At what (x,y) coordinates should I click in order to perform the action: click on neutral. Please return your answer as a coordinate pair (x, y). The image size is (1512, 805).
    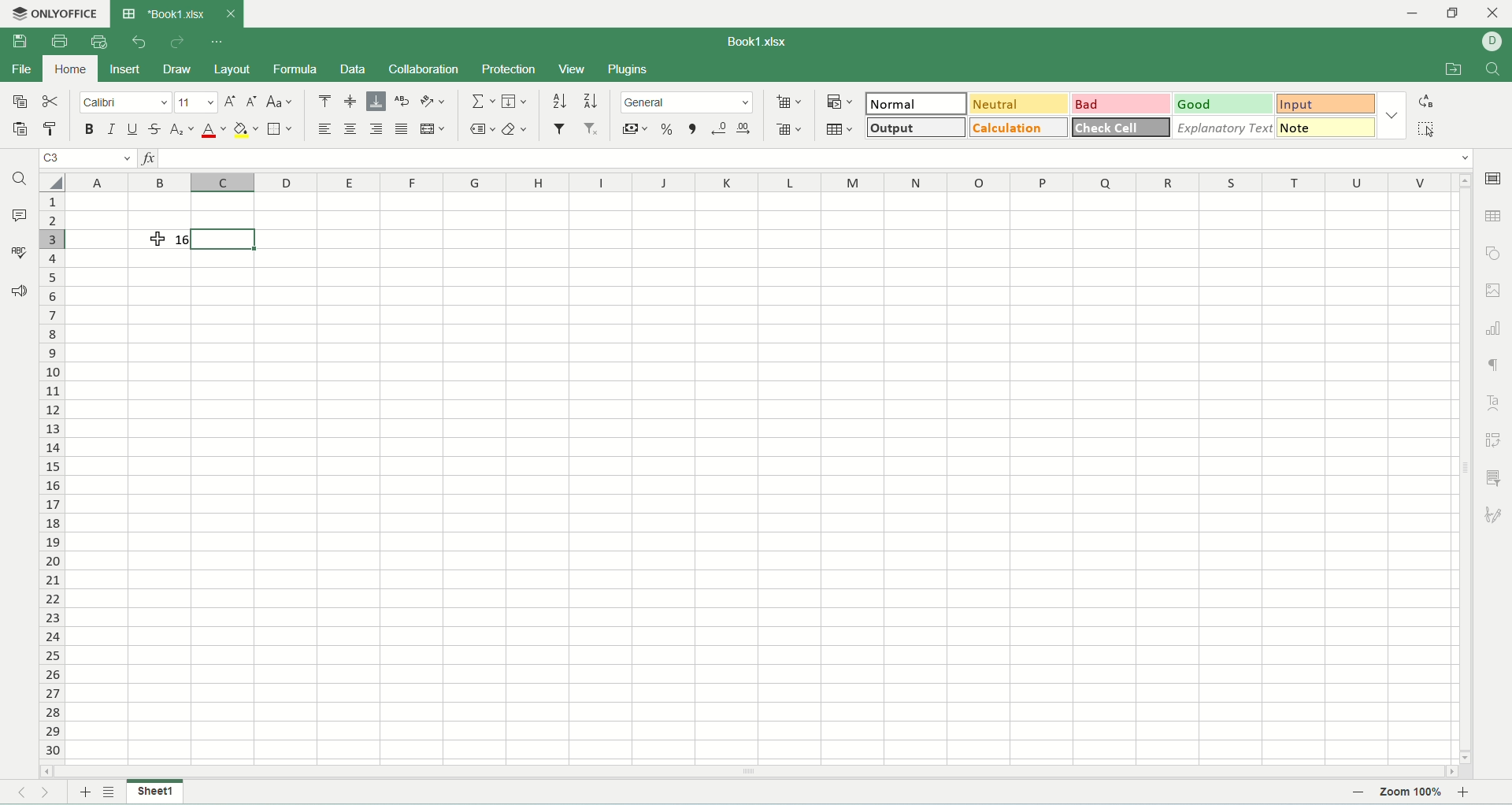
    Looking at the image, I should click on (1022, 105).